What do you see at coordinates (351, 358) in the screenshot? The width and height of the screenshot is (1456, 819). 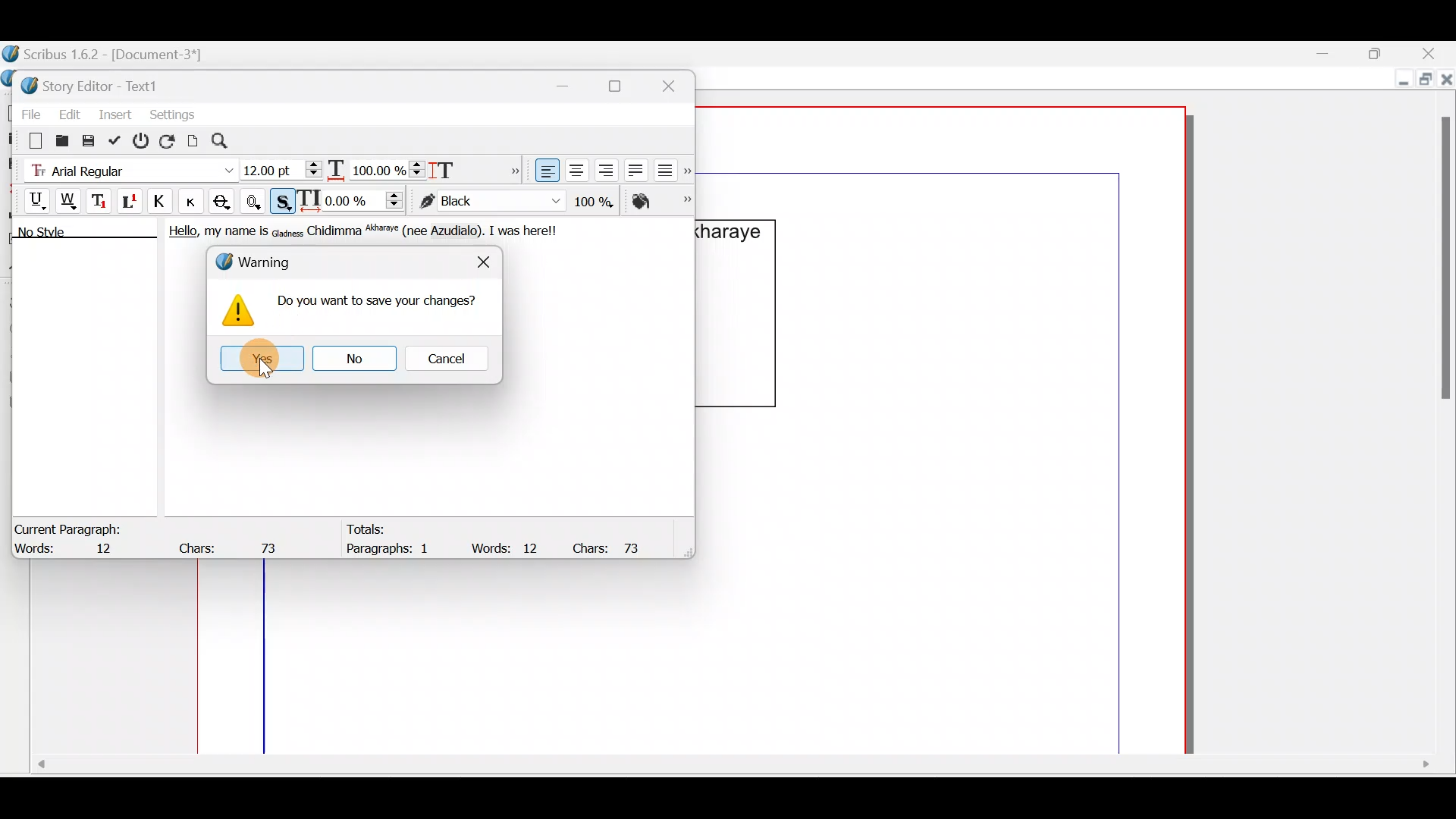 I see `No` at bounding box center [351, 358].